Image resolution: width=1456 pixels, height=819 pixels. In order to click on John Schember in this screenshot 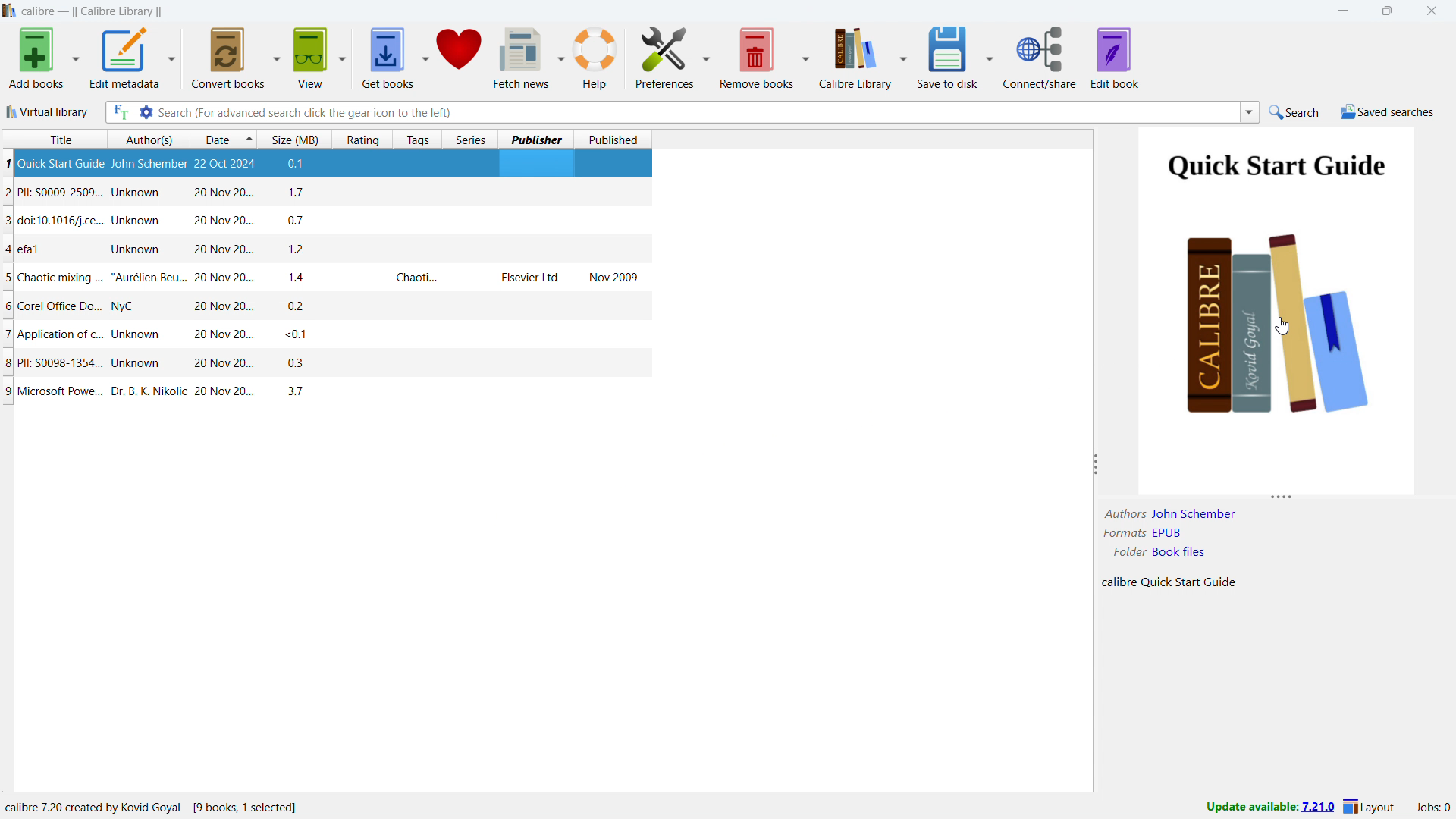, I will do `click(149, 165)`.